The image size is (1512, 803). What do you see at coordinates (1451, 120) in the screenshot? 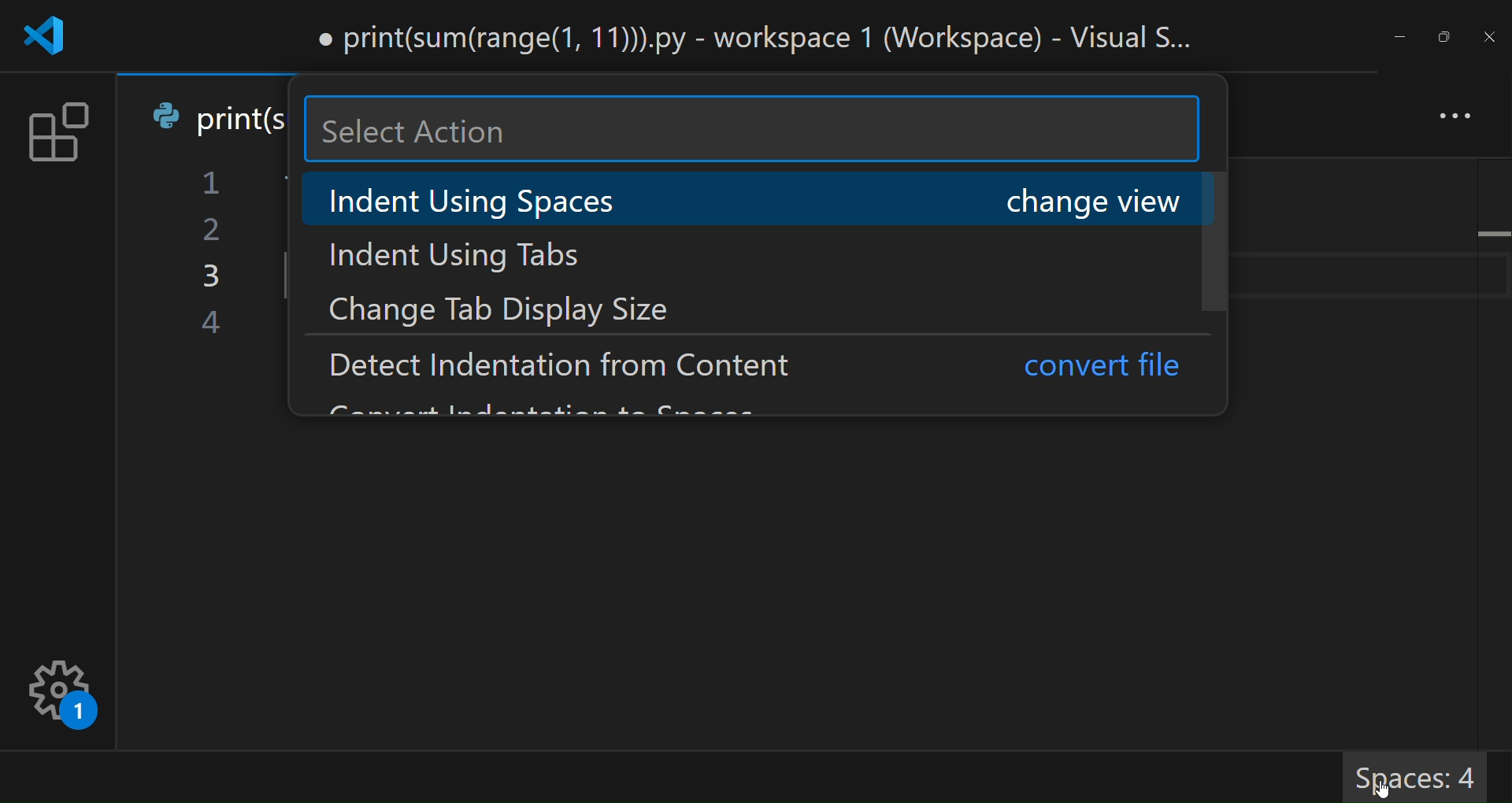
I see `more` at bounding box center [1451, 120].